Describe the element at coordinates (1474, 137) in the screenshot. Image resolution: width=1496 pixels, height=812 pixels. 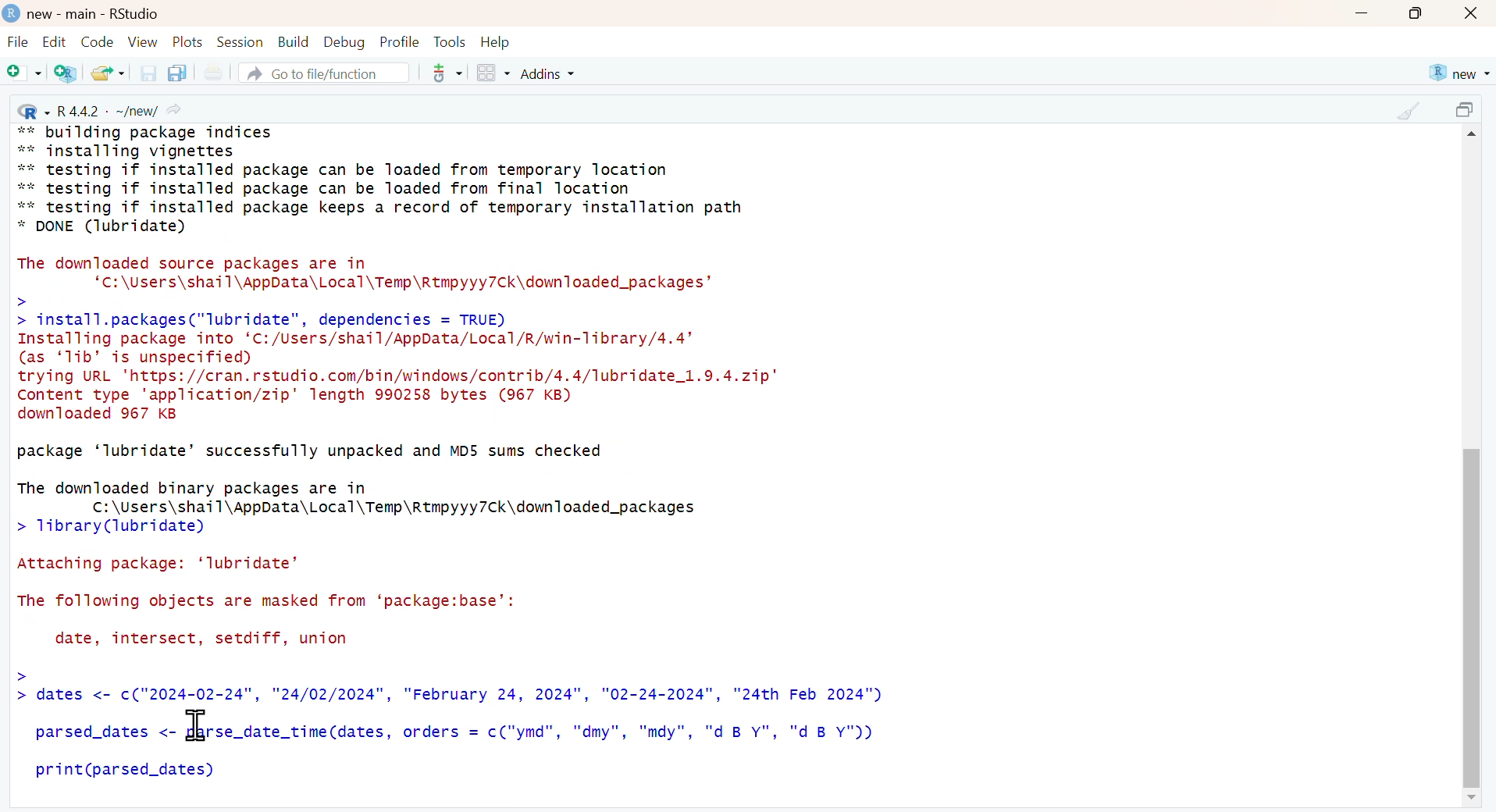
I see `scroll up` at that location.